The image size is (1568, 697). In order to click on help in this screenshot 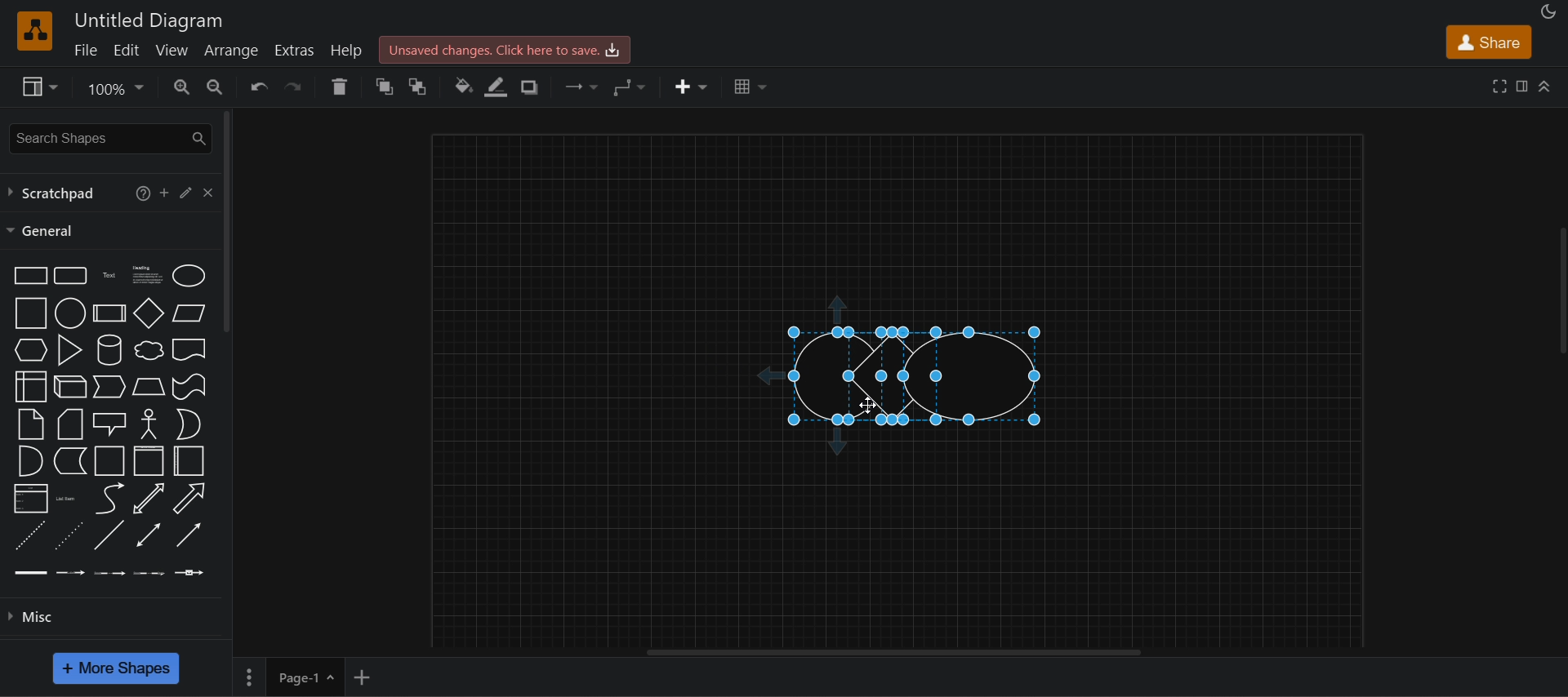, I will do `click(139, 192)`.